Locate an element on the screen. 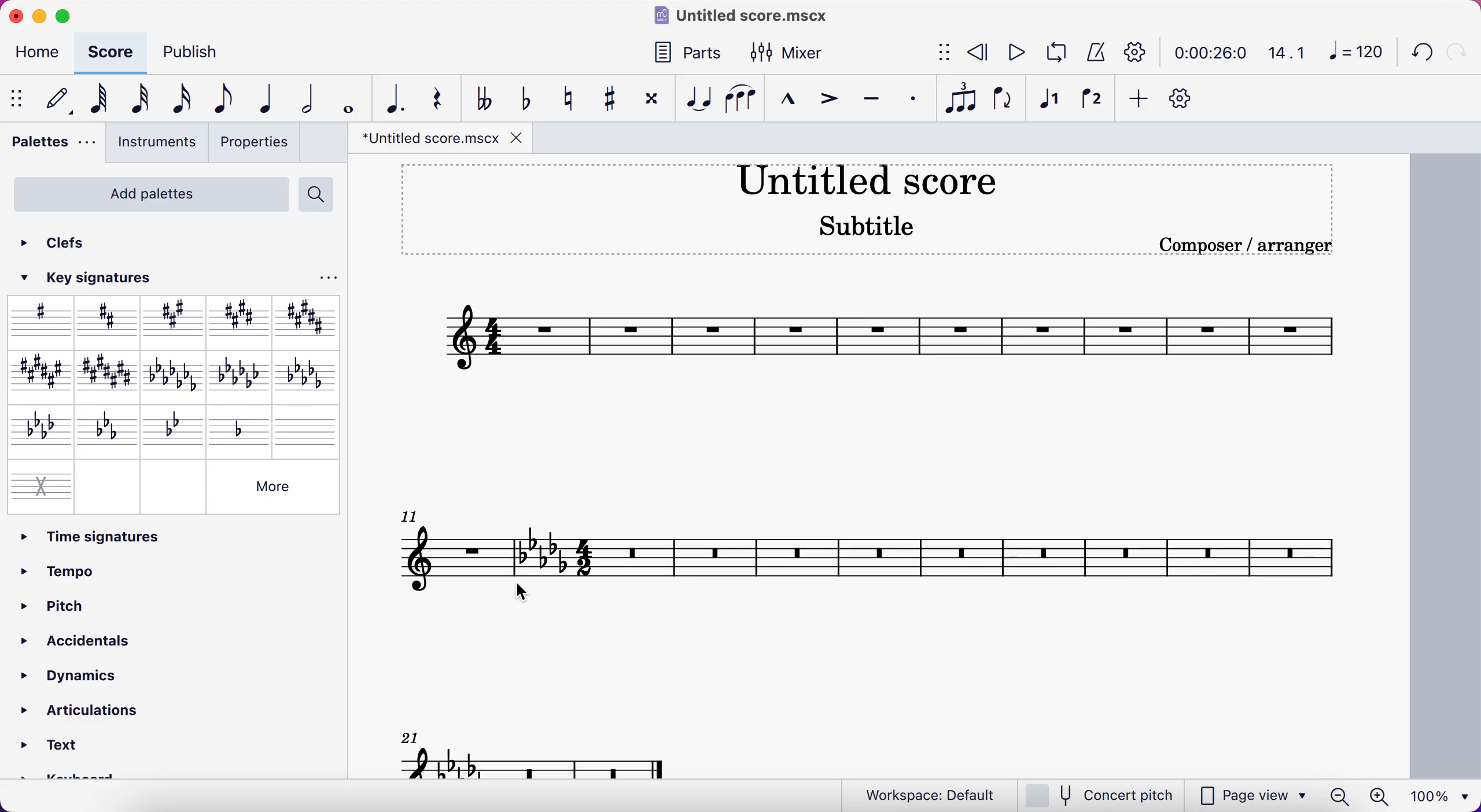 Image resolution: width=1481 pixels, height=812 pixels. loop playback is located at coordinates (1054, 52).